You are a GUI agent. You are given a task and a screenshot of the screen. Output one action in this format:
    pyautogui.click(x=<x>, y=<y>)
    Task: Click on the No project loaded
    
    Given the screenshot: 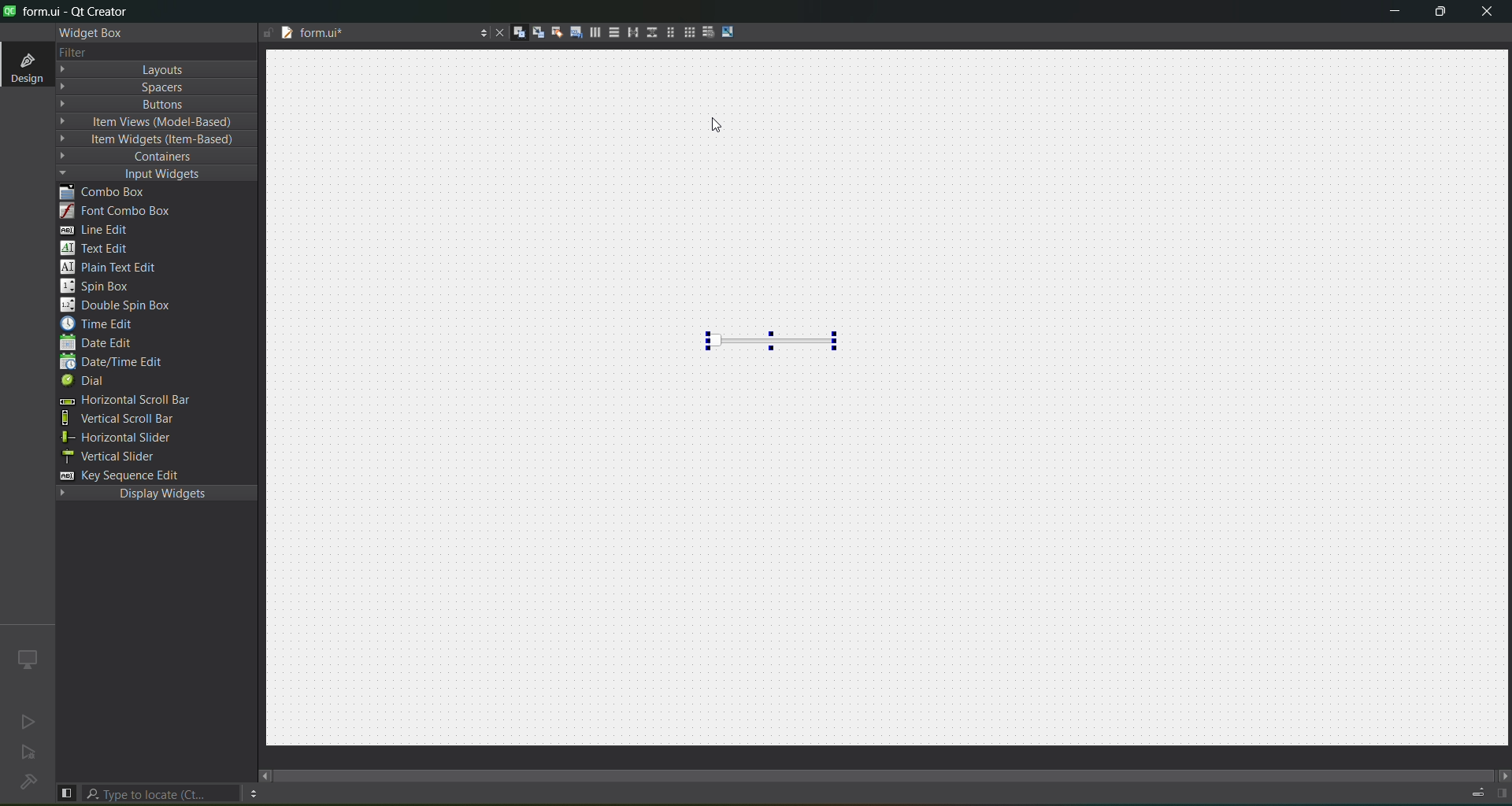 What is the action you would take?
    pyautogui.click(x=27, y=788)
    